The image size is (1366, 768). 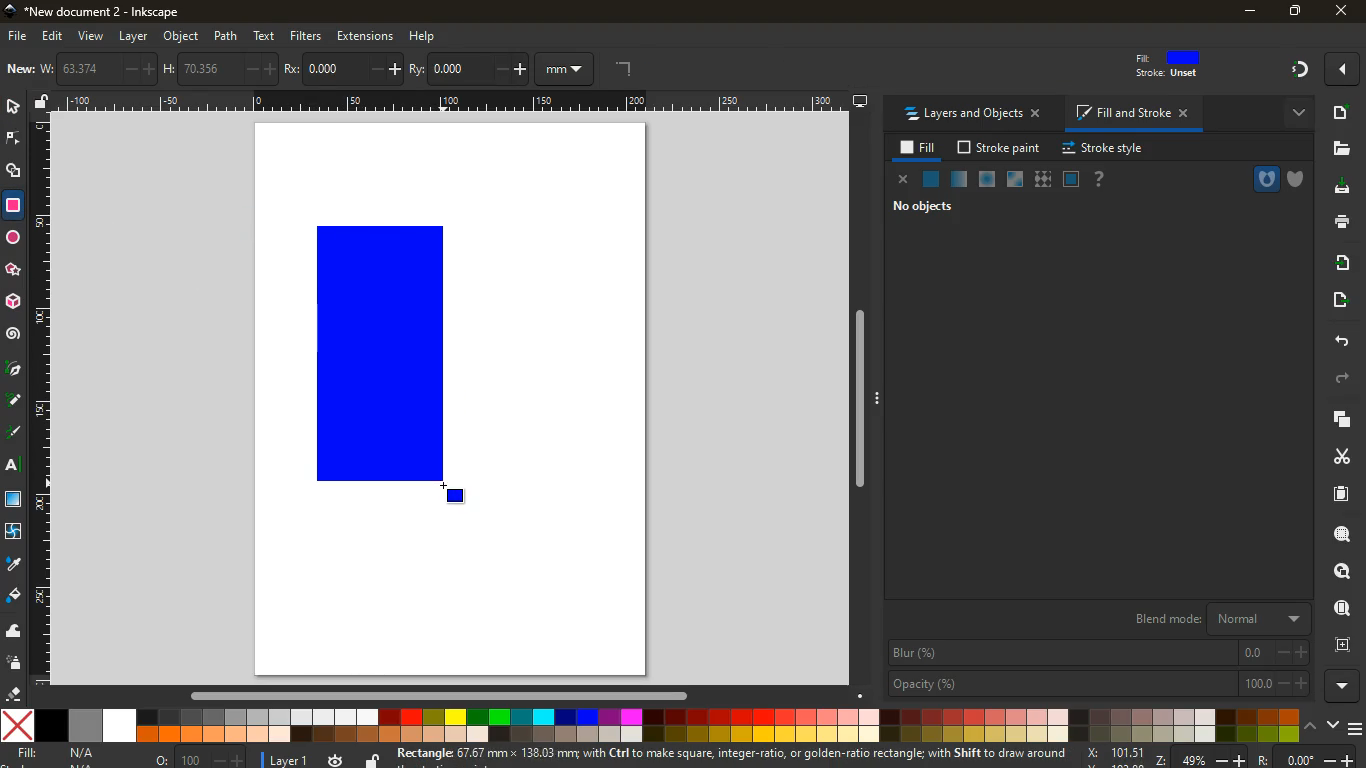 What do you see at coordinates (1336, 494) in the screenshot?
I see `paper` at bounding box center [1336, 494].